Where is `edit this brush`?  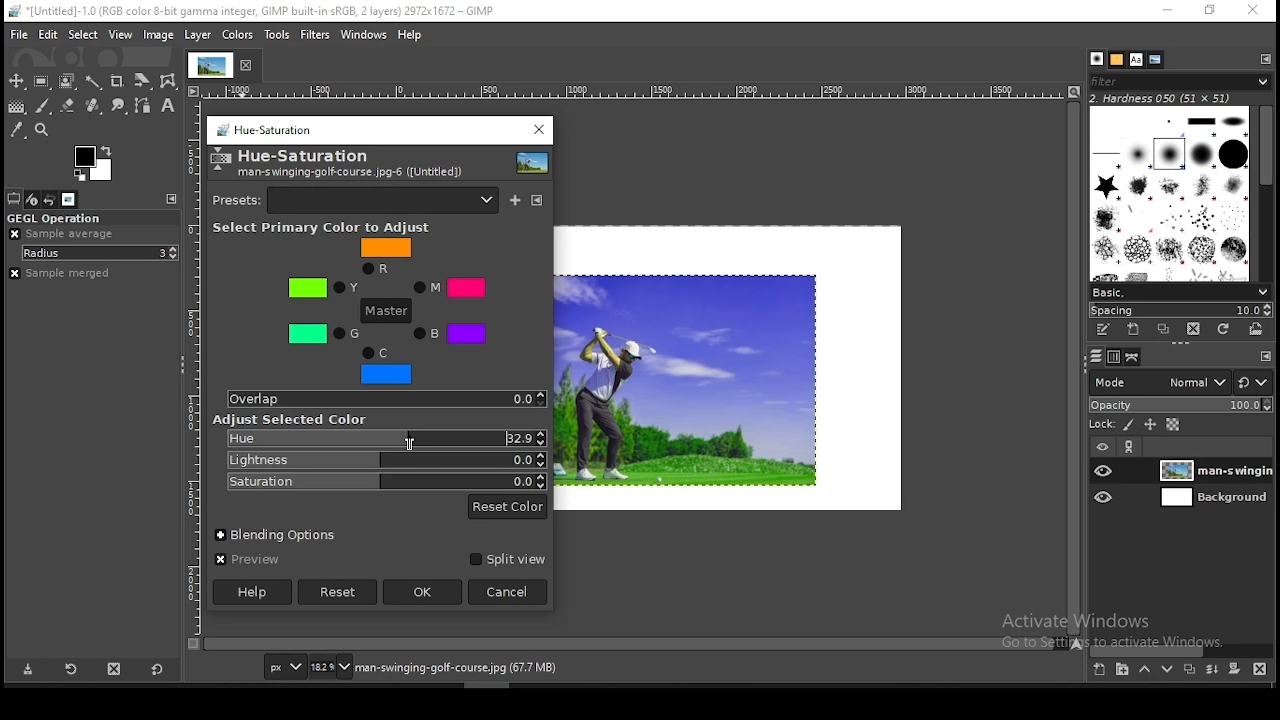 edit this brush is located at coordinates (1101, 331).